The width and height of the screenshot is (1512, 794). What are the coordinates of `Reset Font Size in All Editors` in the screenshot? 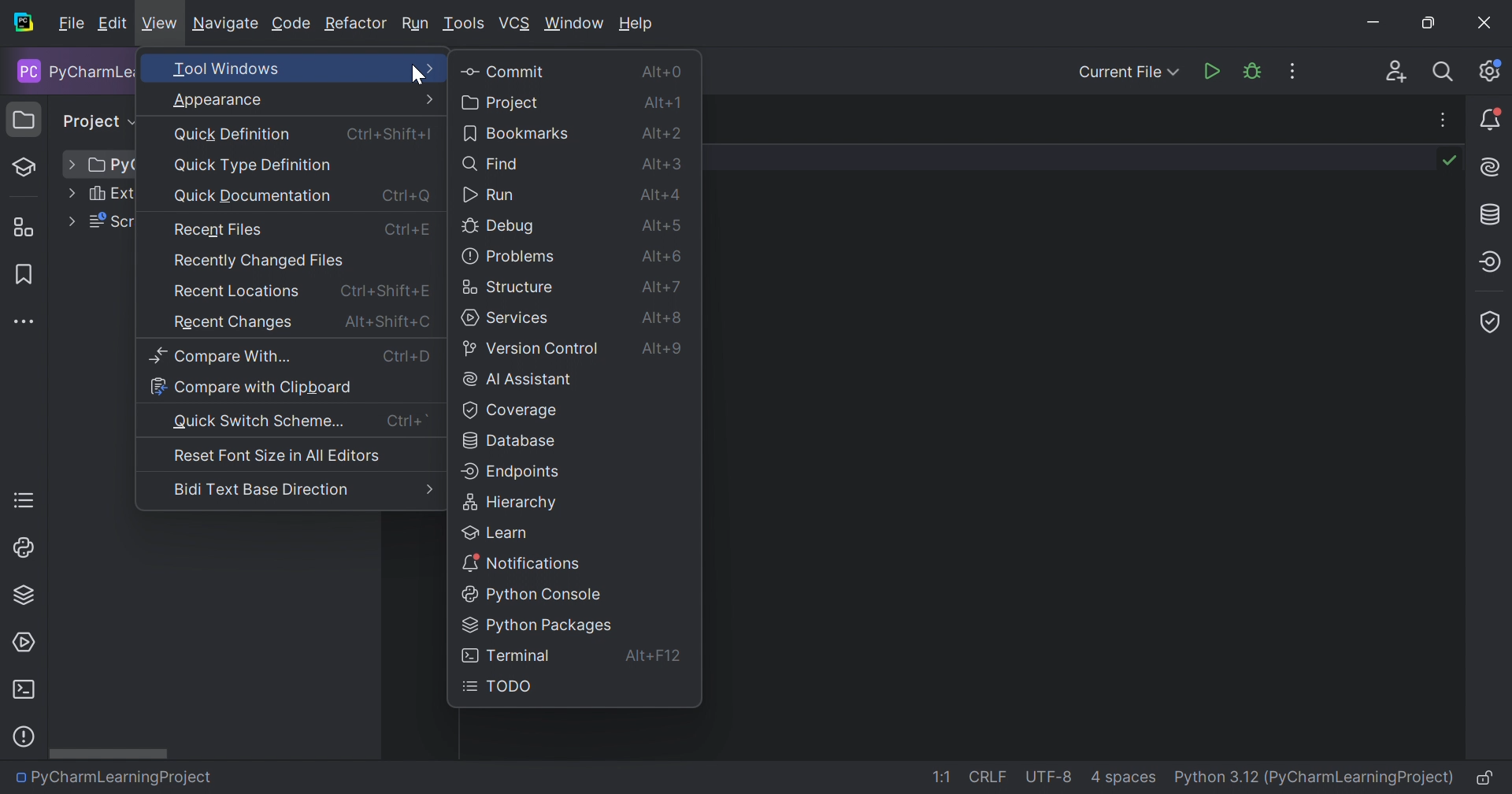 It's located at (275, 455).